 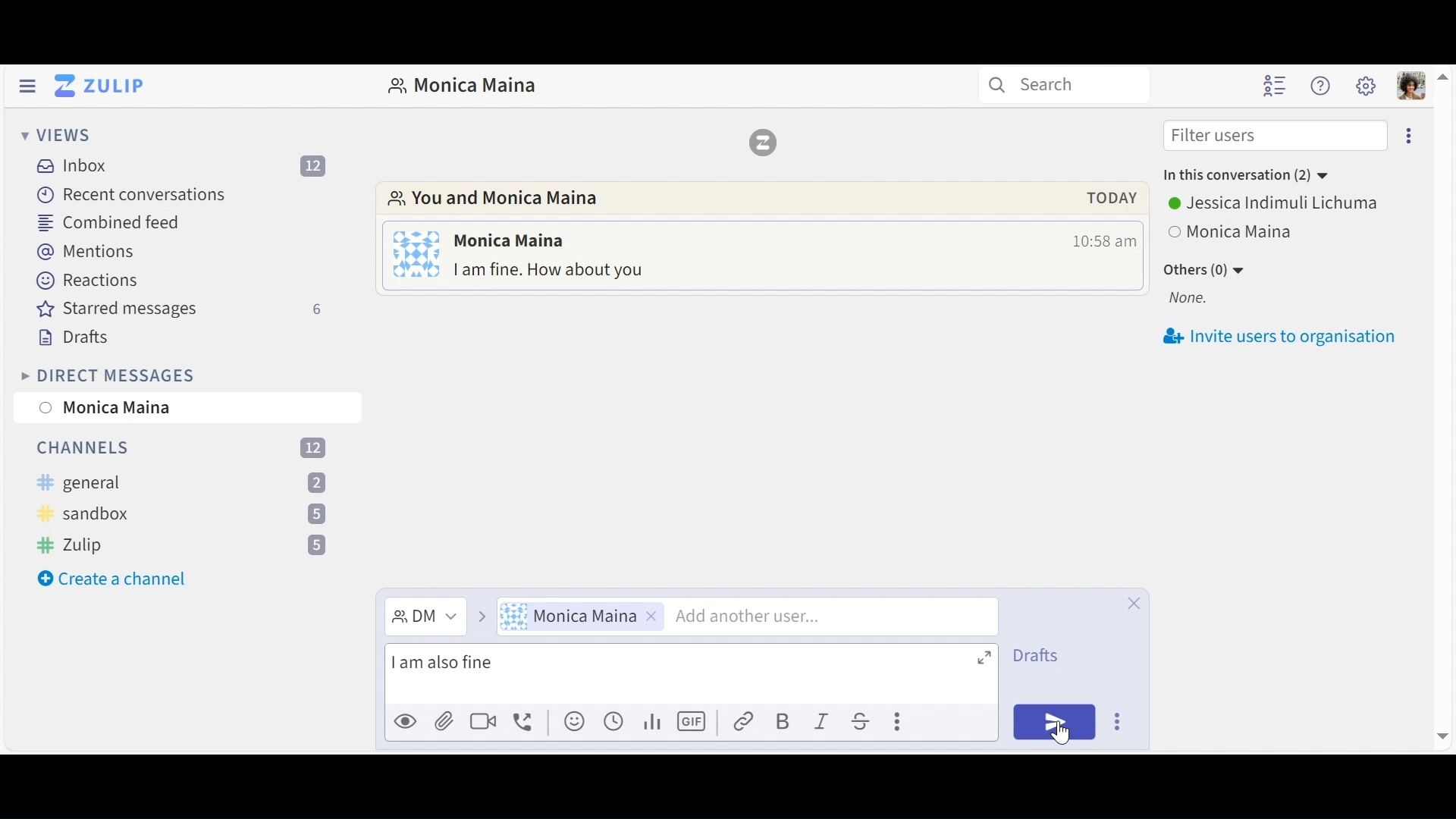 I want to click on Hide Left Sidebar, so click(x=26, y=85).